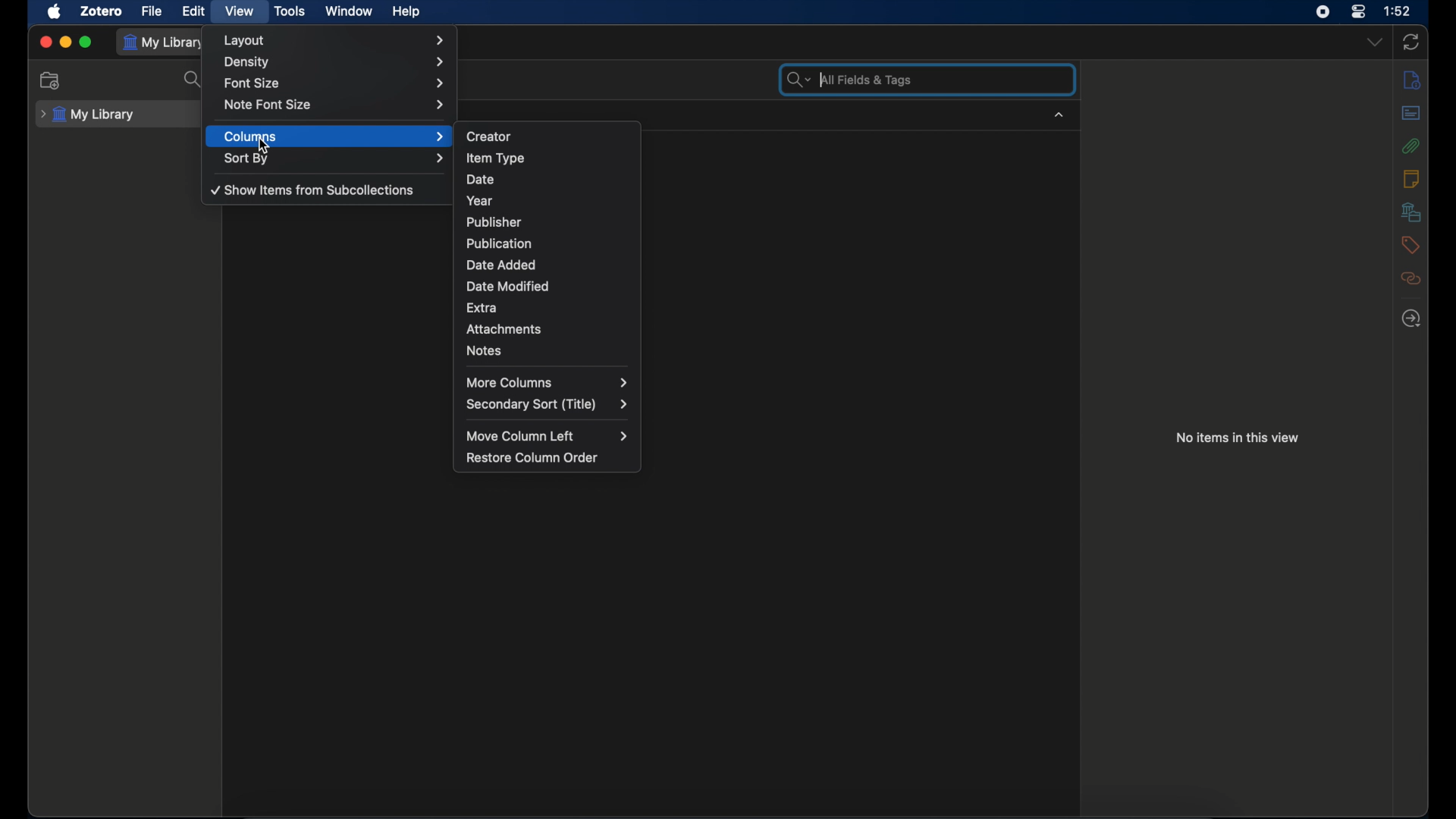 The image size is (1456, 819). I want to click on date, so click(482, 178).